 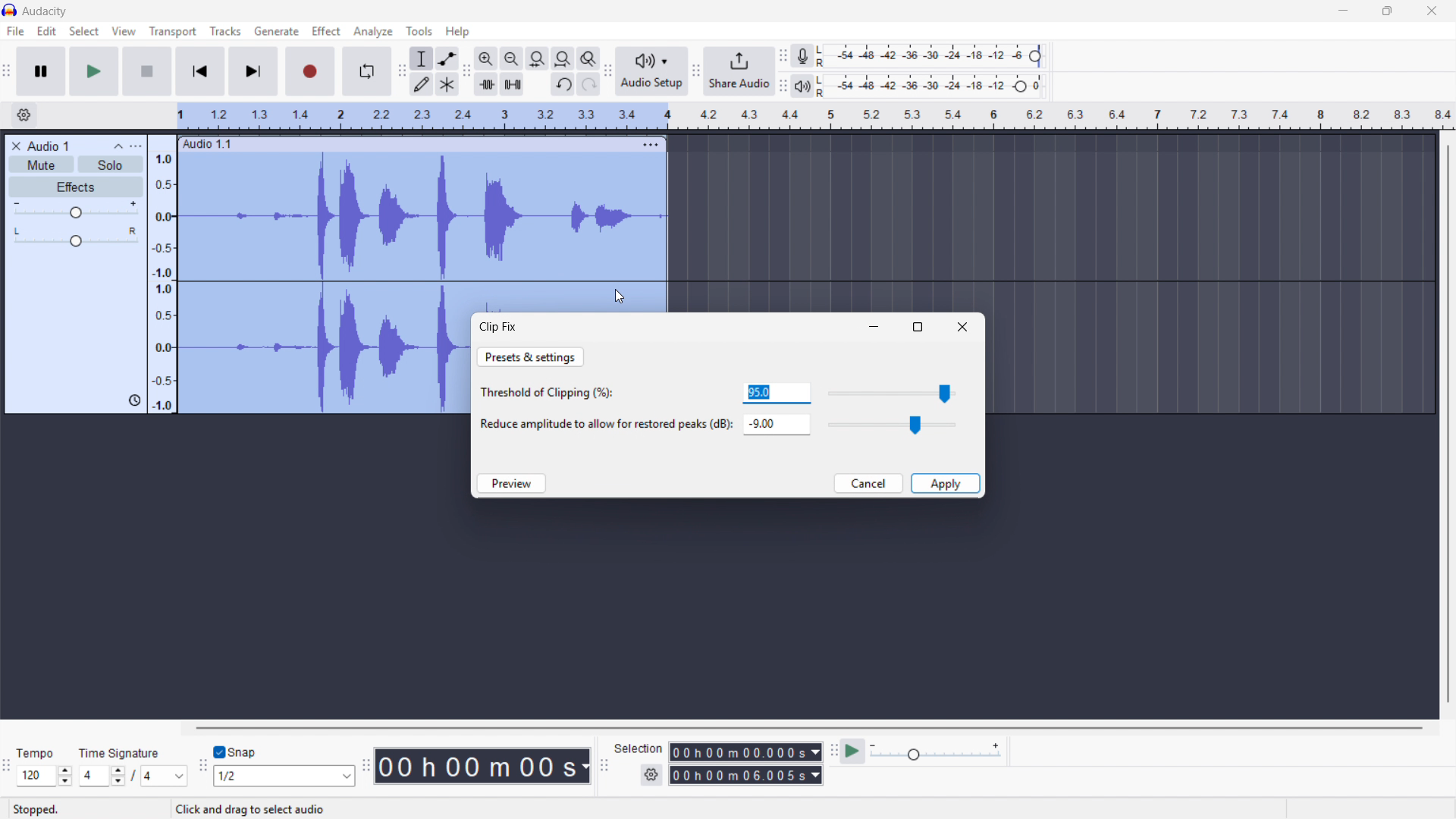 What do you see at coordinates (745, 776) in the screenshot?
I see `selection end time` at bounding box center [745, 776].